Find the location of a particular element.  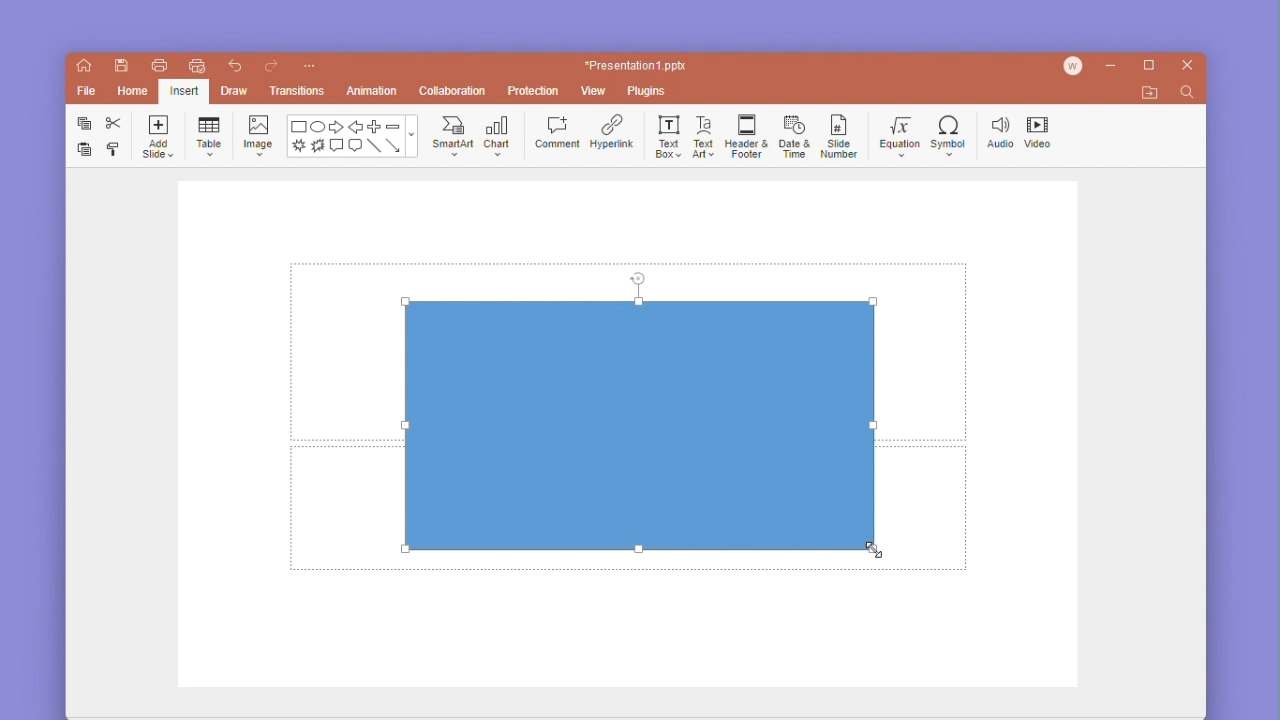

transitions is located at coordinates (296, 90).